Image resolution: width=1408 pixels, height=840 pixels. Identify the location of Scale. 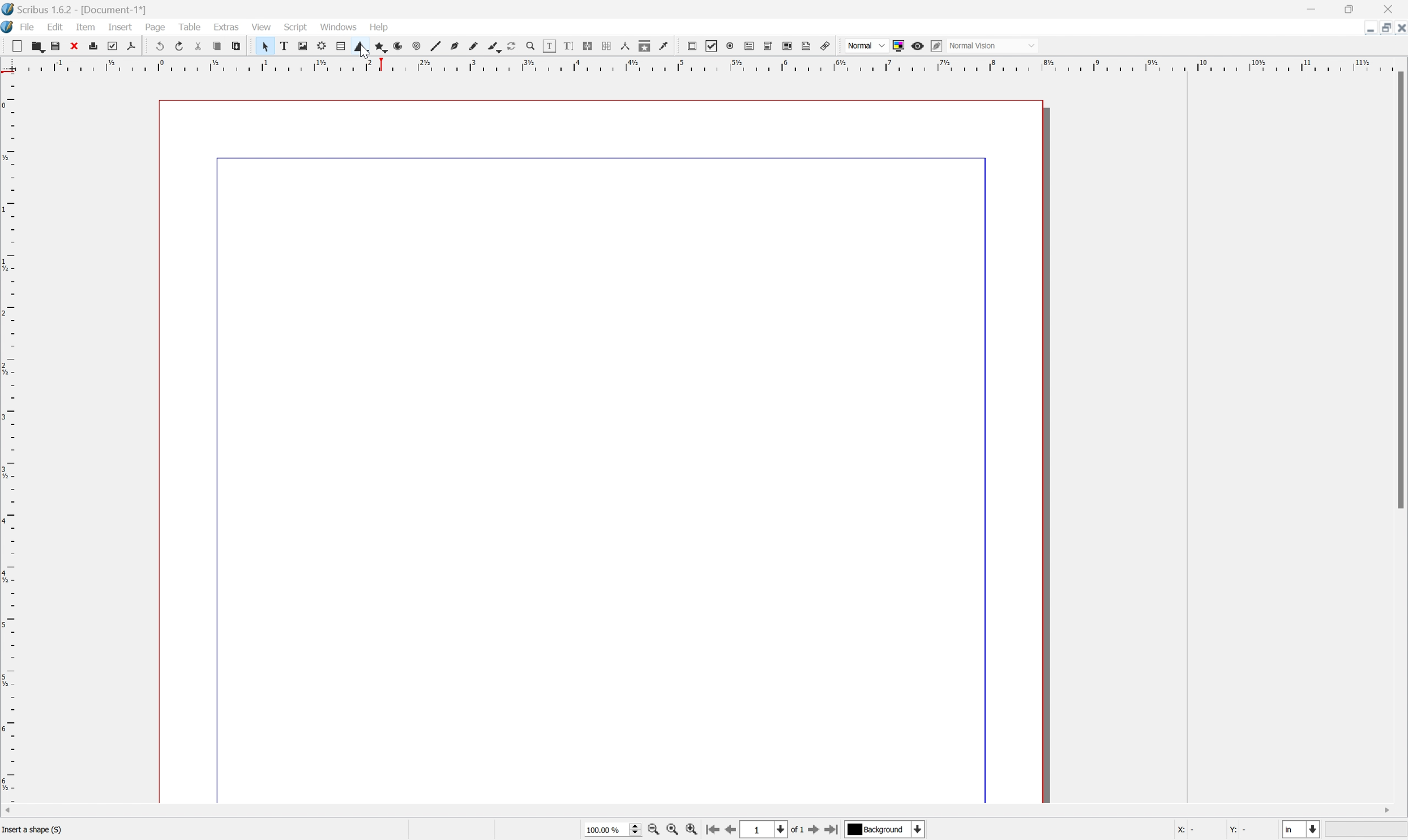
(9, 439).